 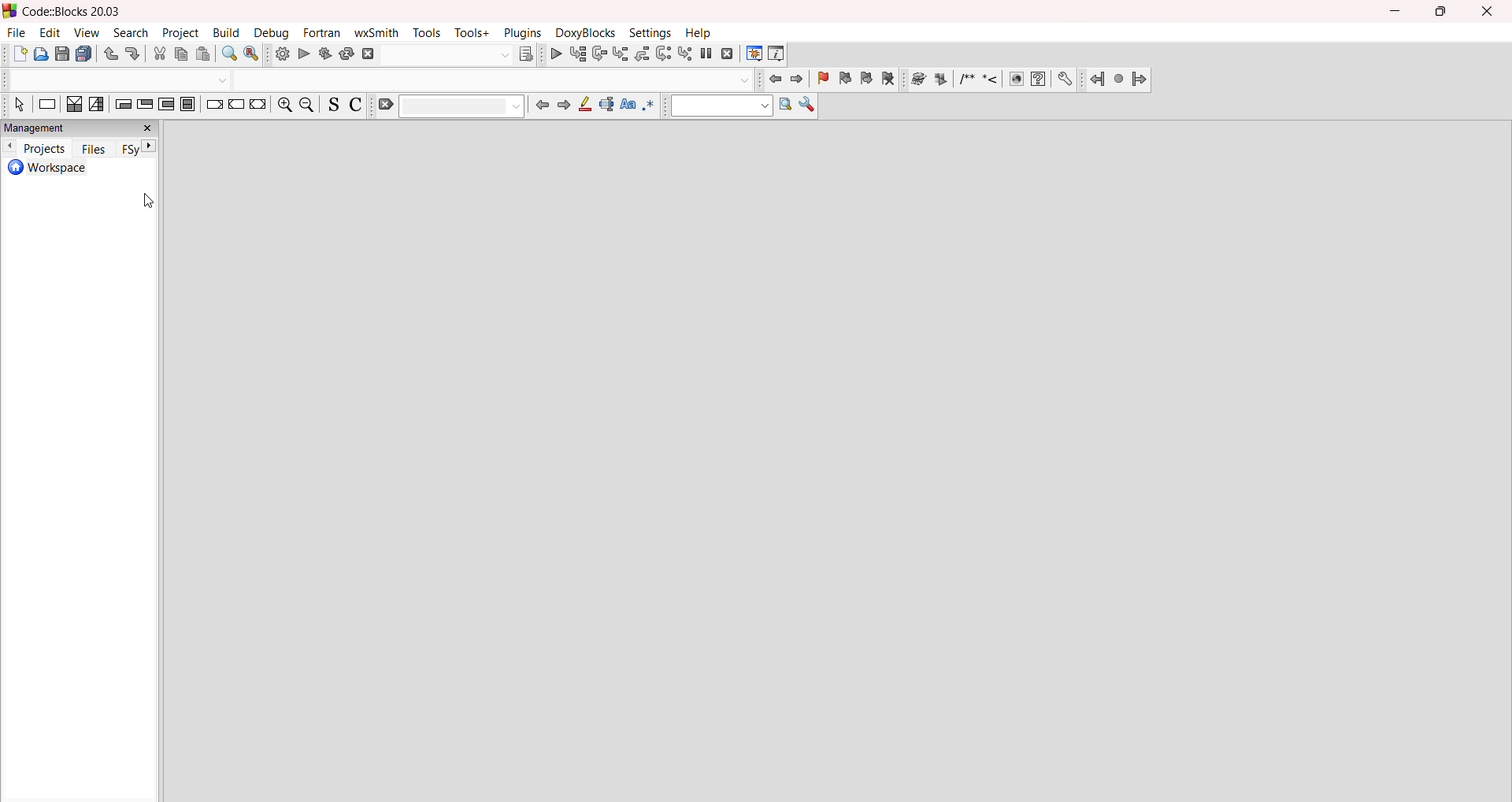 What do you see at coordinates (48, 106) in the screenshot?
I see `instruction` at bounding box center [48, 106].